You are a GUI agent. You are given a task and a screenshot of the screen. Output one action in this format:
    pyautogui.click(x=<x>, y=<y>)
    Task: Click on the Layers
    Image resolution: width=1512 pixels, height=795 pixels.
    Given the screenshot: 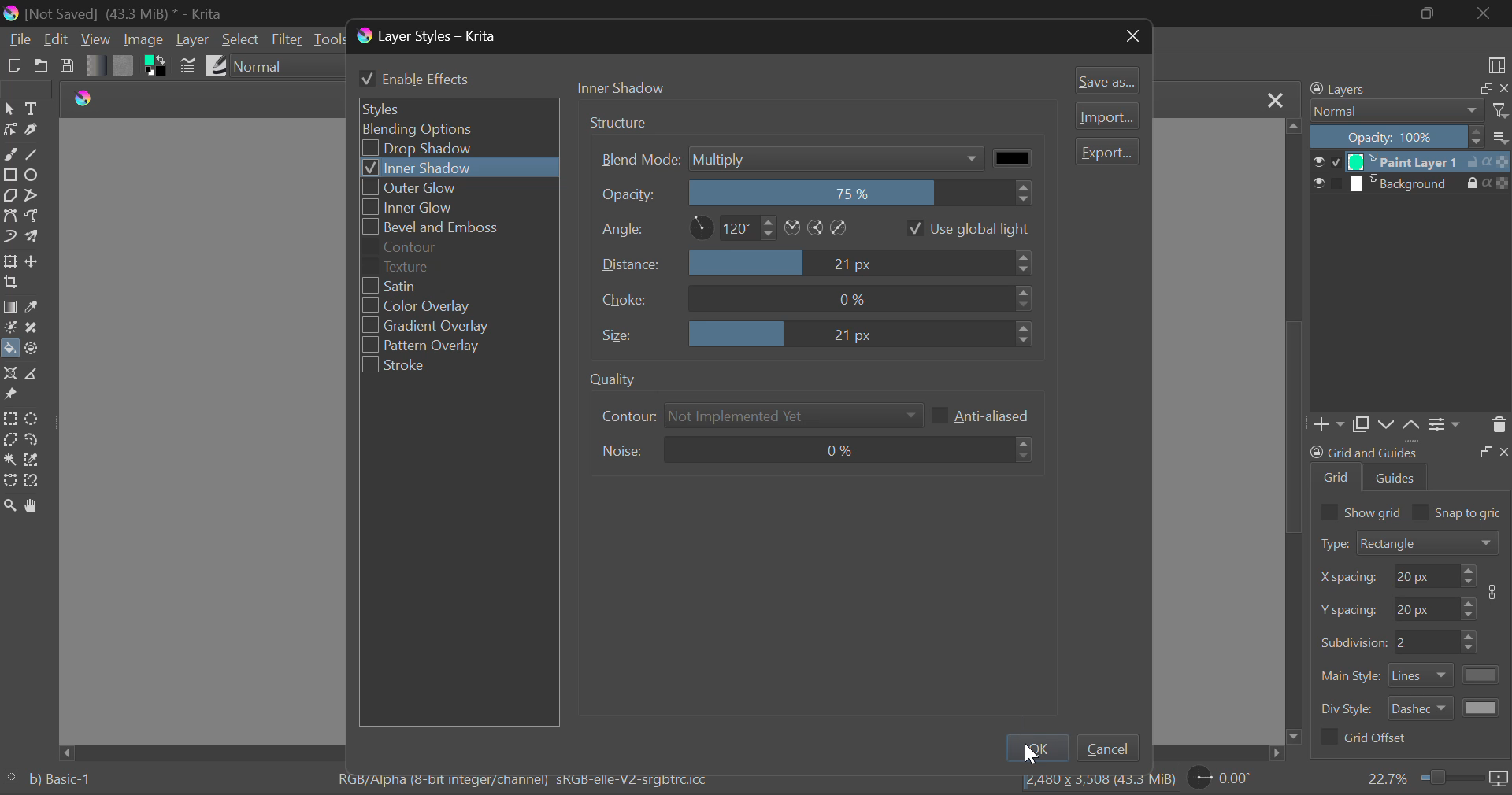 What is the action you would take?
    pyautogui.click(x=1410, y=173)
    